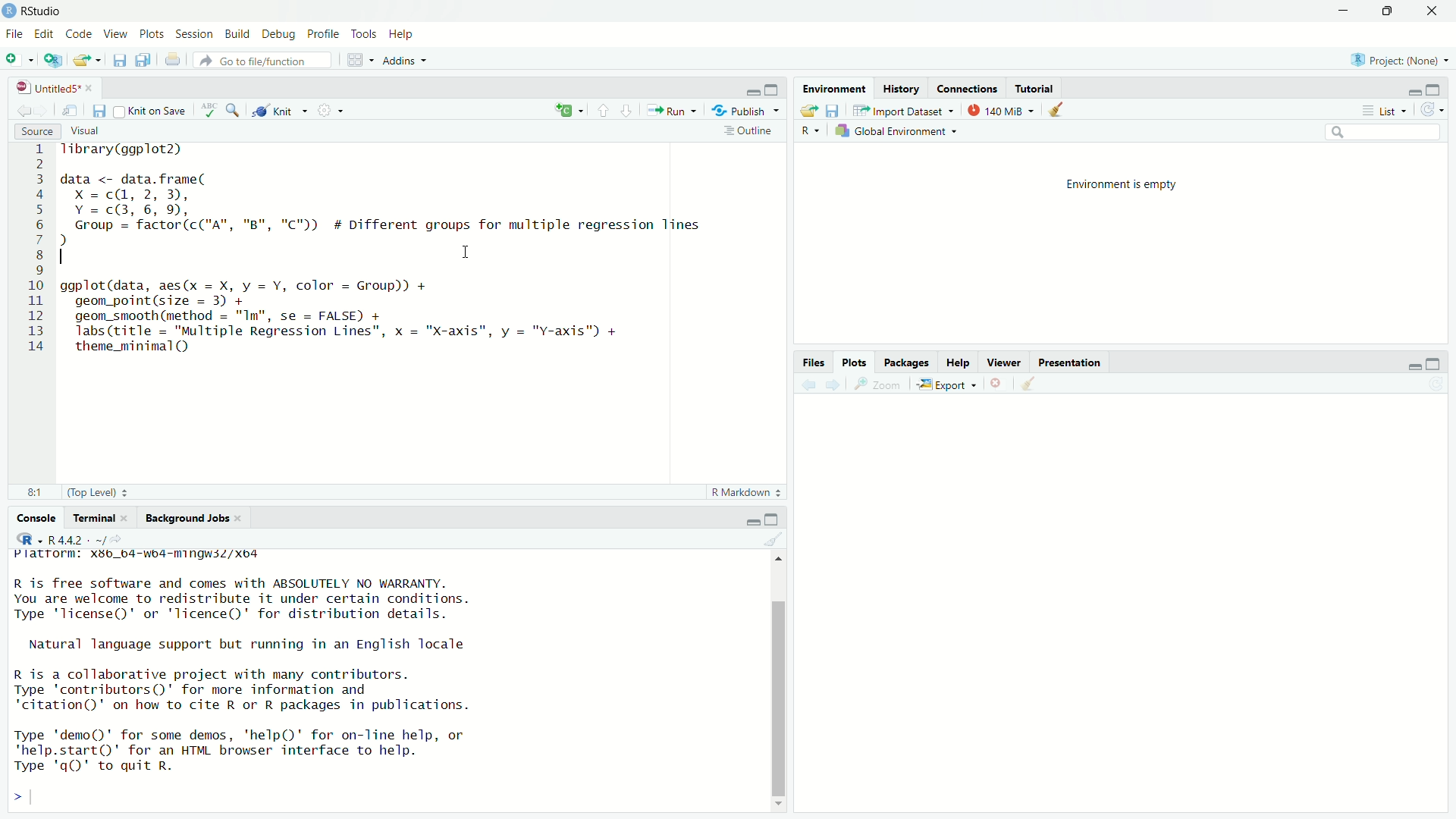 Image resolution: width=1456 pixels, height=819 pixels. I want to click on Tutorial, so click(1040, 86).